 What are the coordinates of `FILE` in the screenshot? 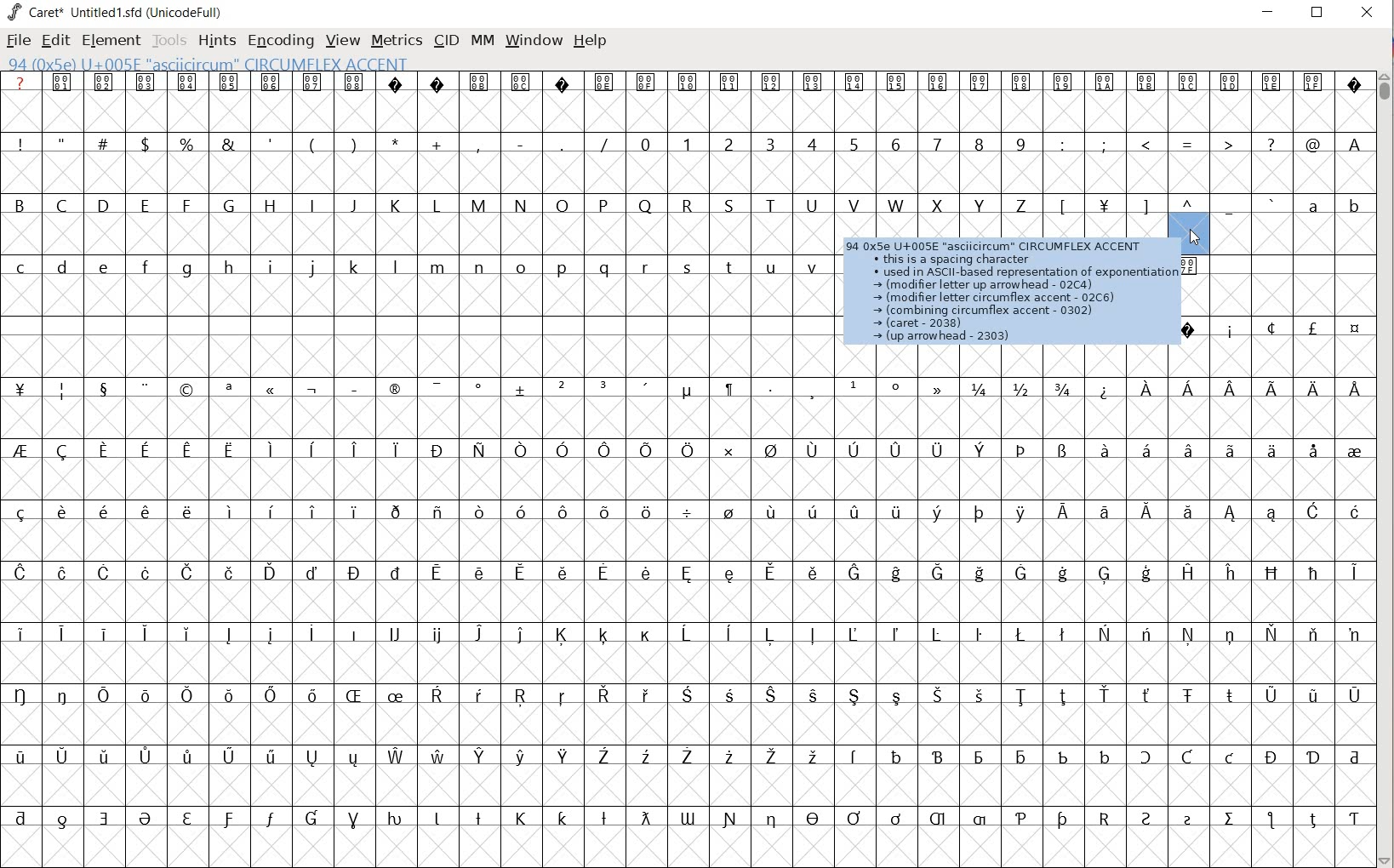 It's located at (17, 42).